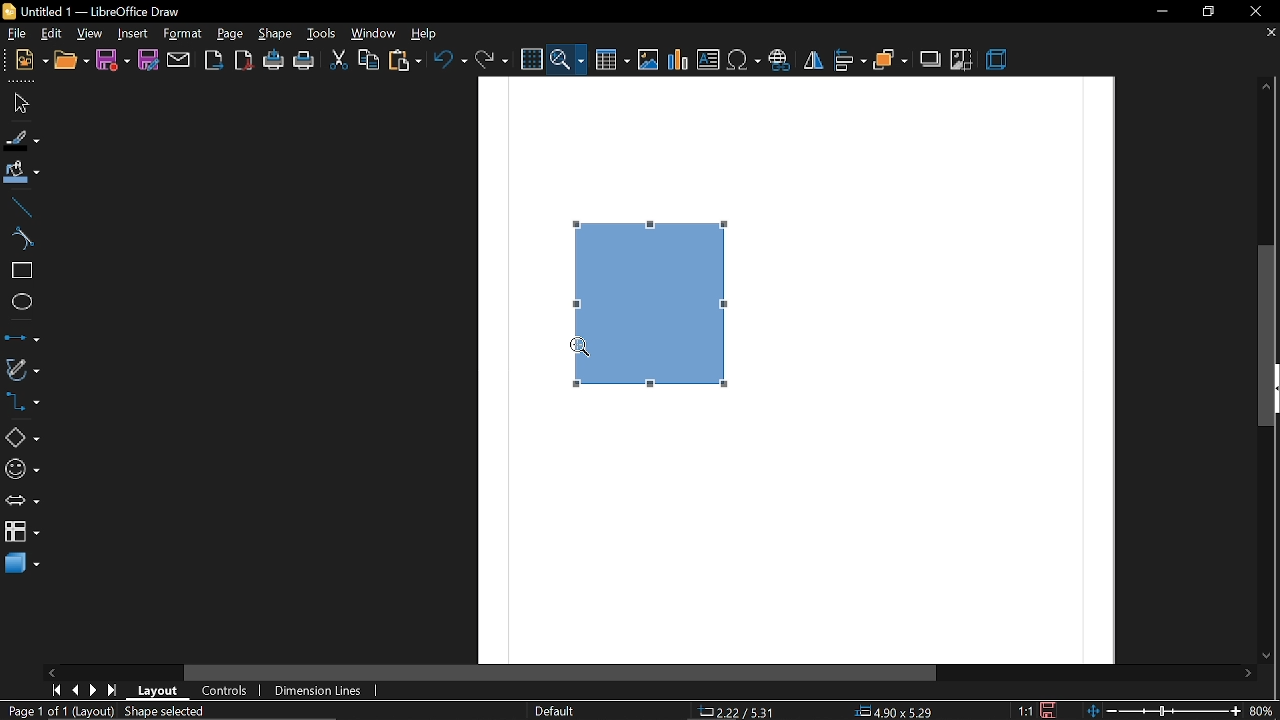 The width and height of the screenshot is (1280, 720). What do you see at coordinates (22, 530) in the screenshot?
I see `flowchart` at bounding box center [22, 530].